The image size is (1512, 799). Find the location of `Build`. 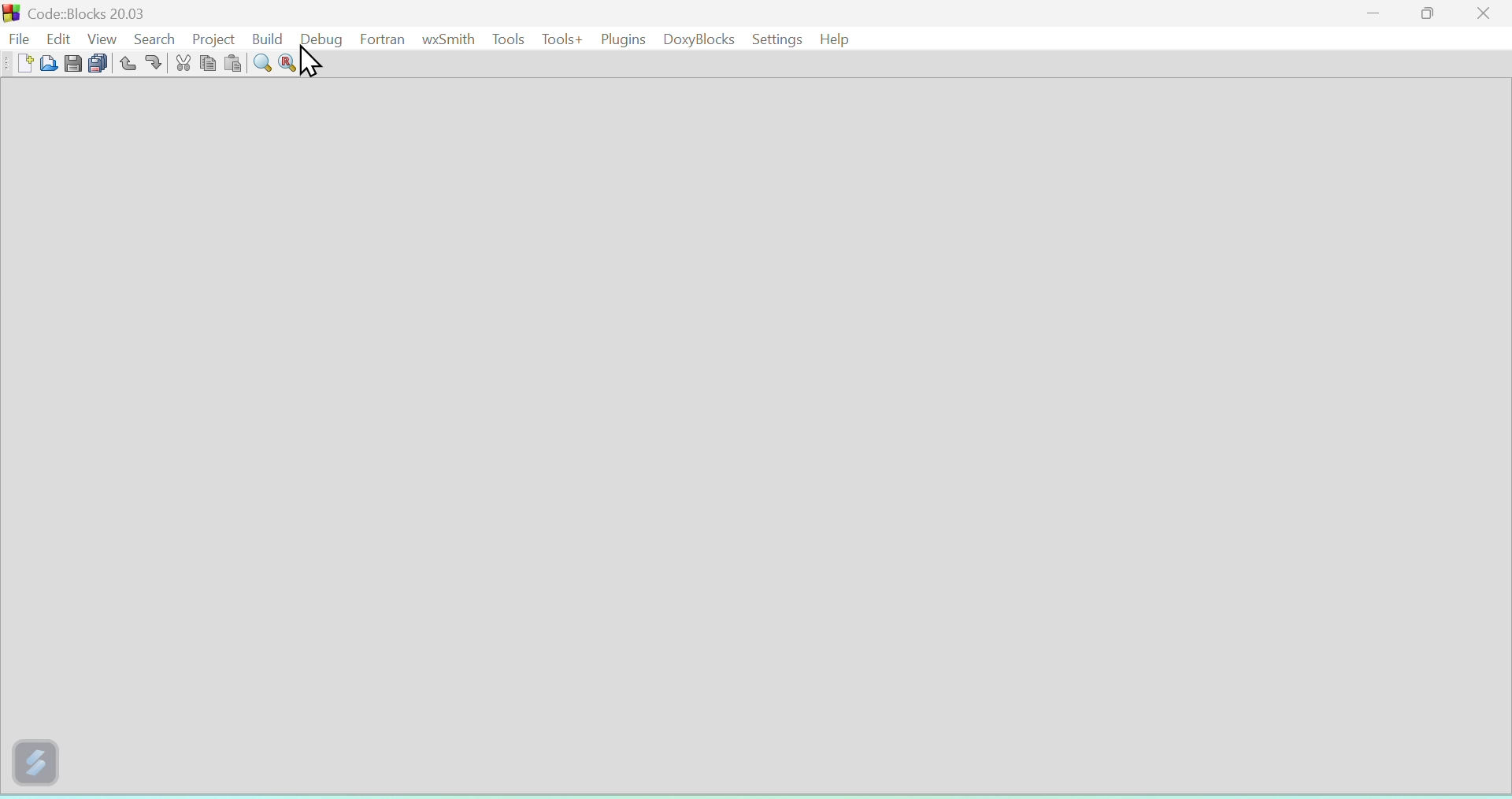

Build is located at coordinates (266, 36).